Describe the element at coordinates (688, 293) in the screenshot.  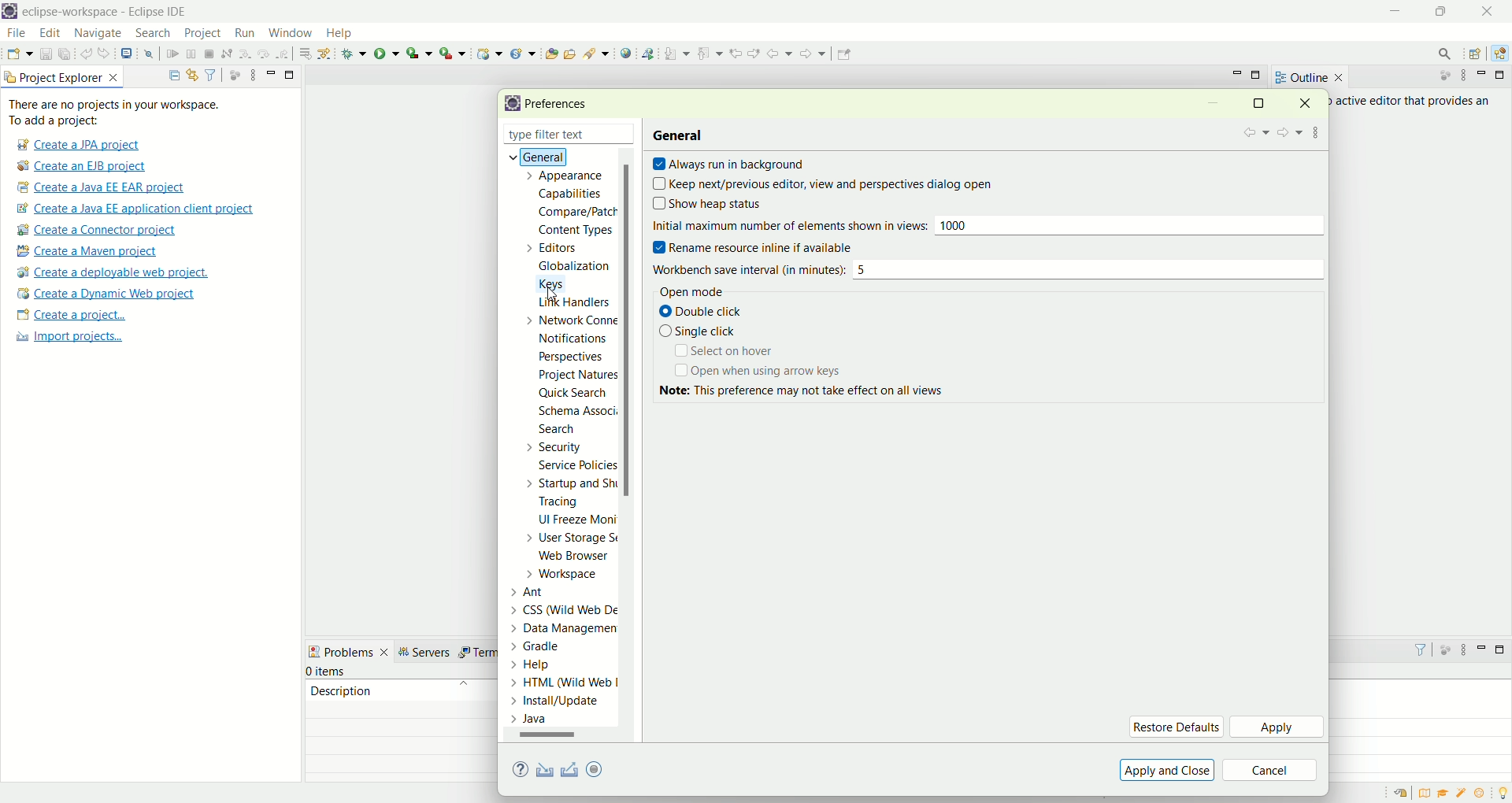
I see `open mode` at that location.